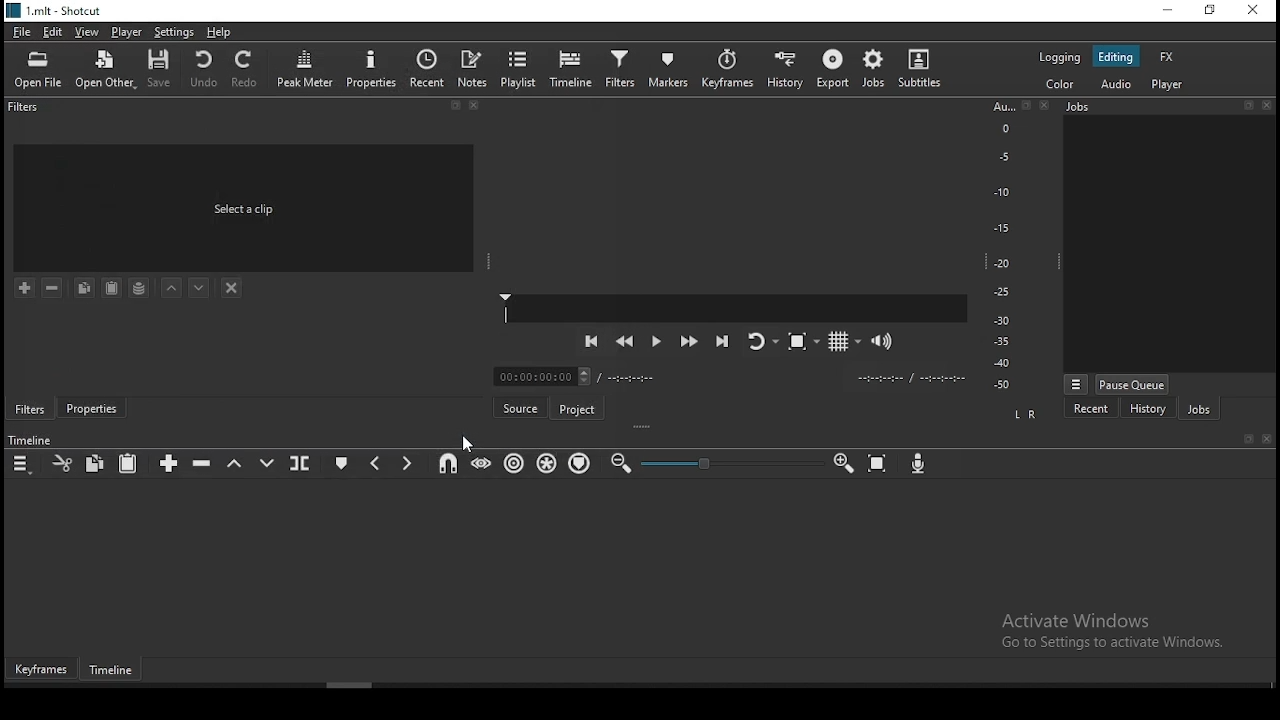  I want to click on playlist, so click(521, 68).